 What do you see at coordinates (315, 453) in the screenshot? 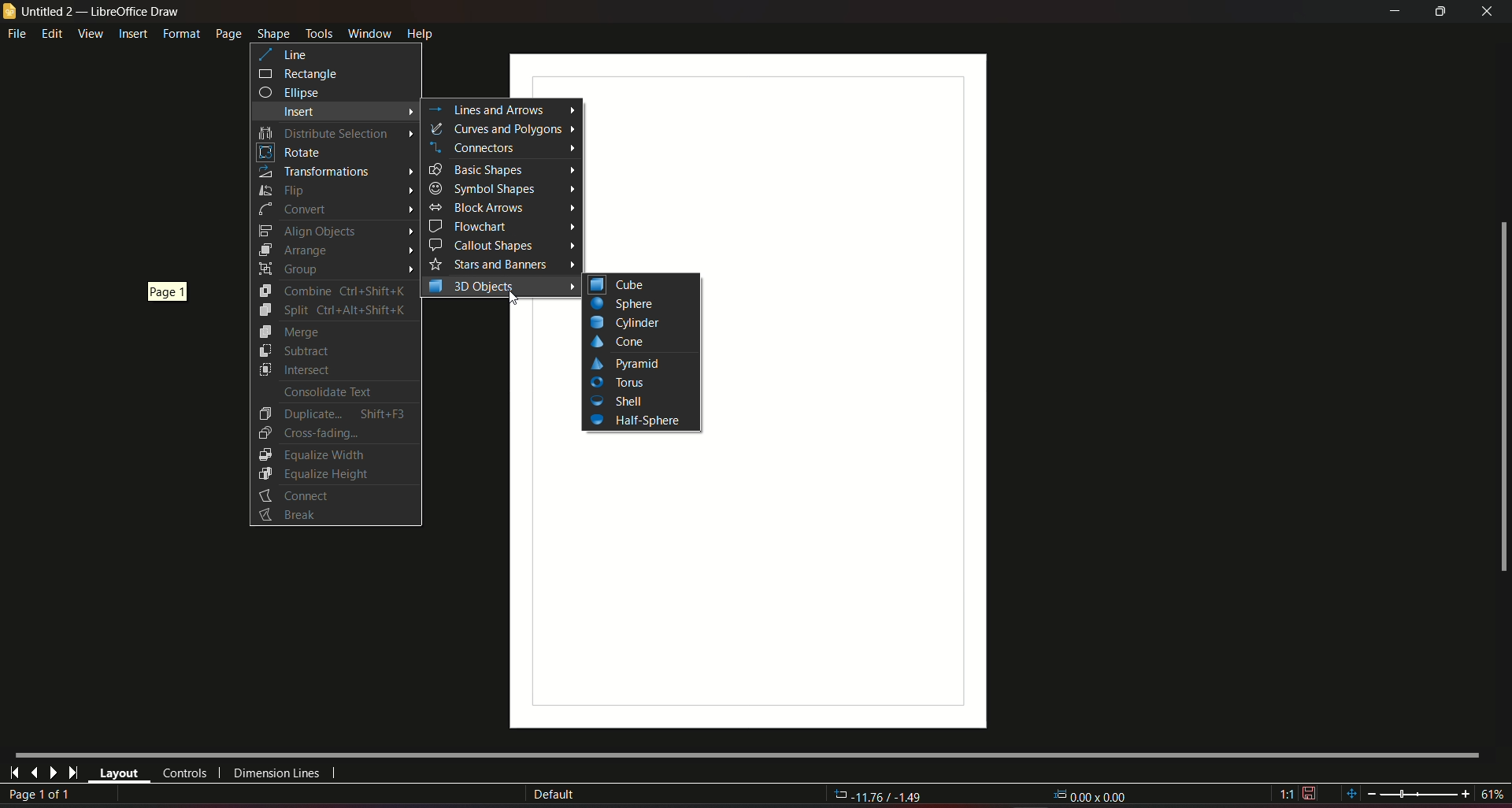
I see `Equalize Width` at bounding box center [315, 453].